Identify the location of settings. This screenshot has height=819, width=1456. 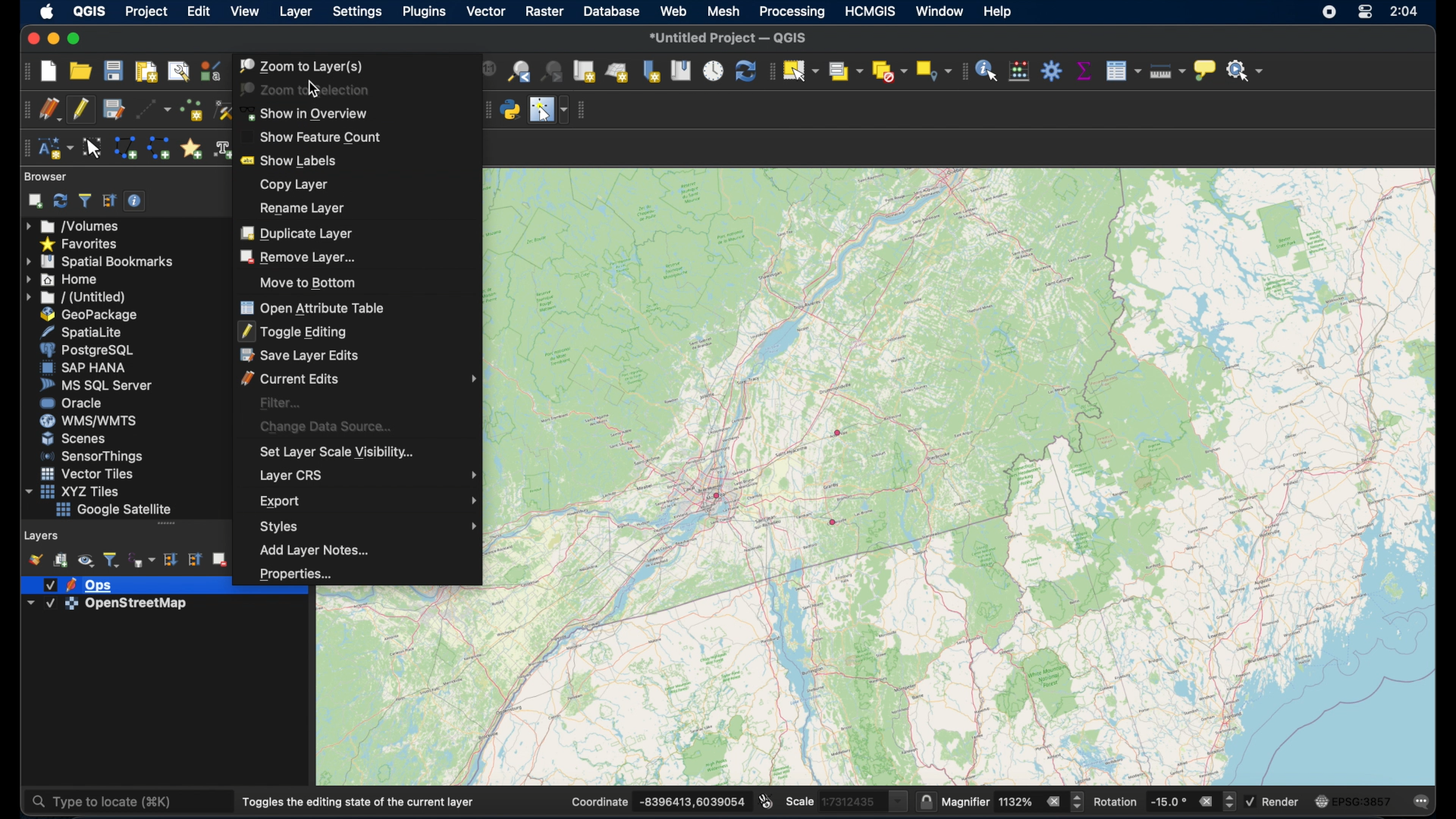
(359, 13).